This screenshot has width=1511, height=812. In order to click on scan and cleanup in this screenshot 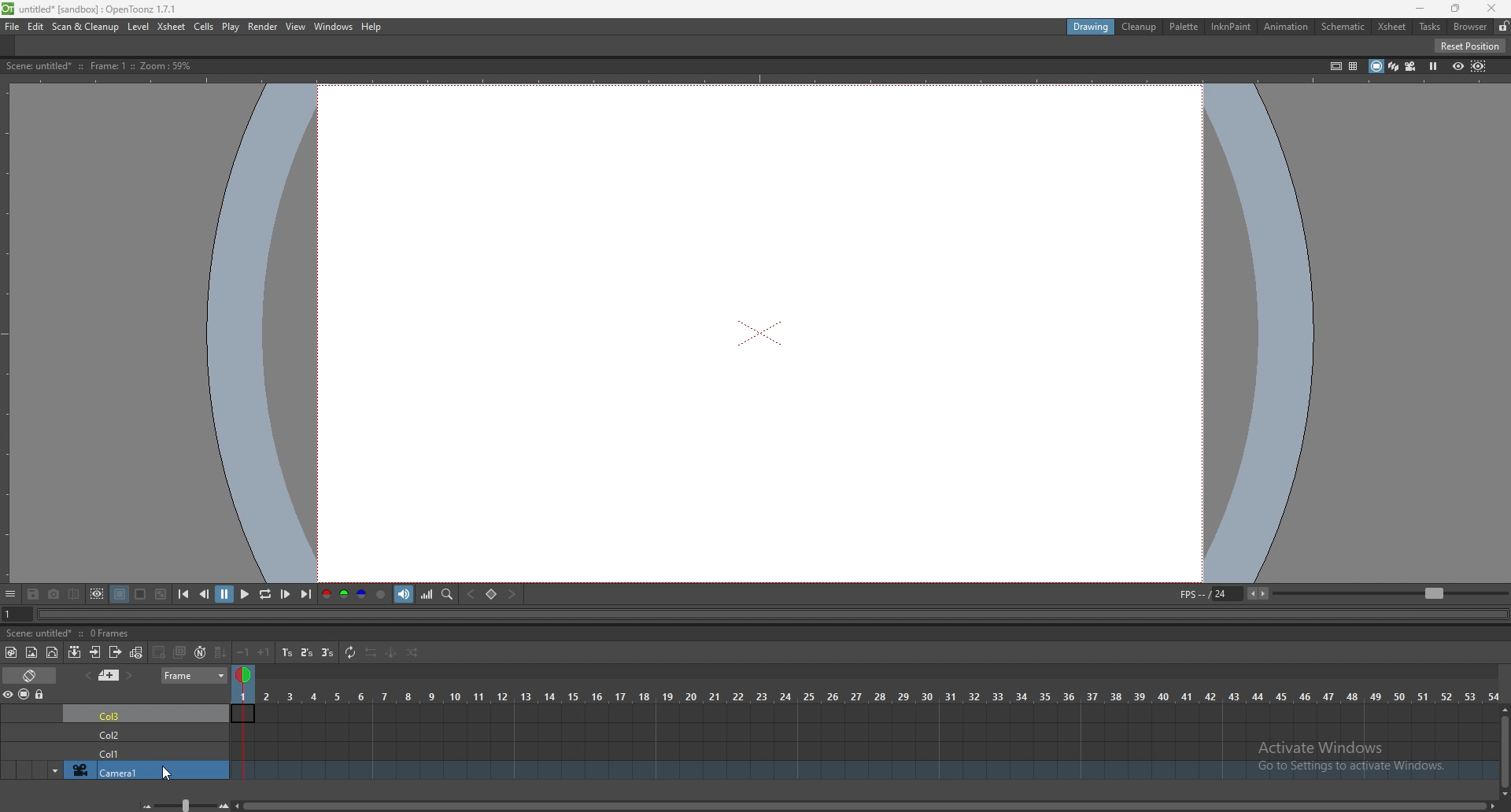, I will do `click(86, 27)`.